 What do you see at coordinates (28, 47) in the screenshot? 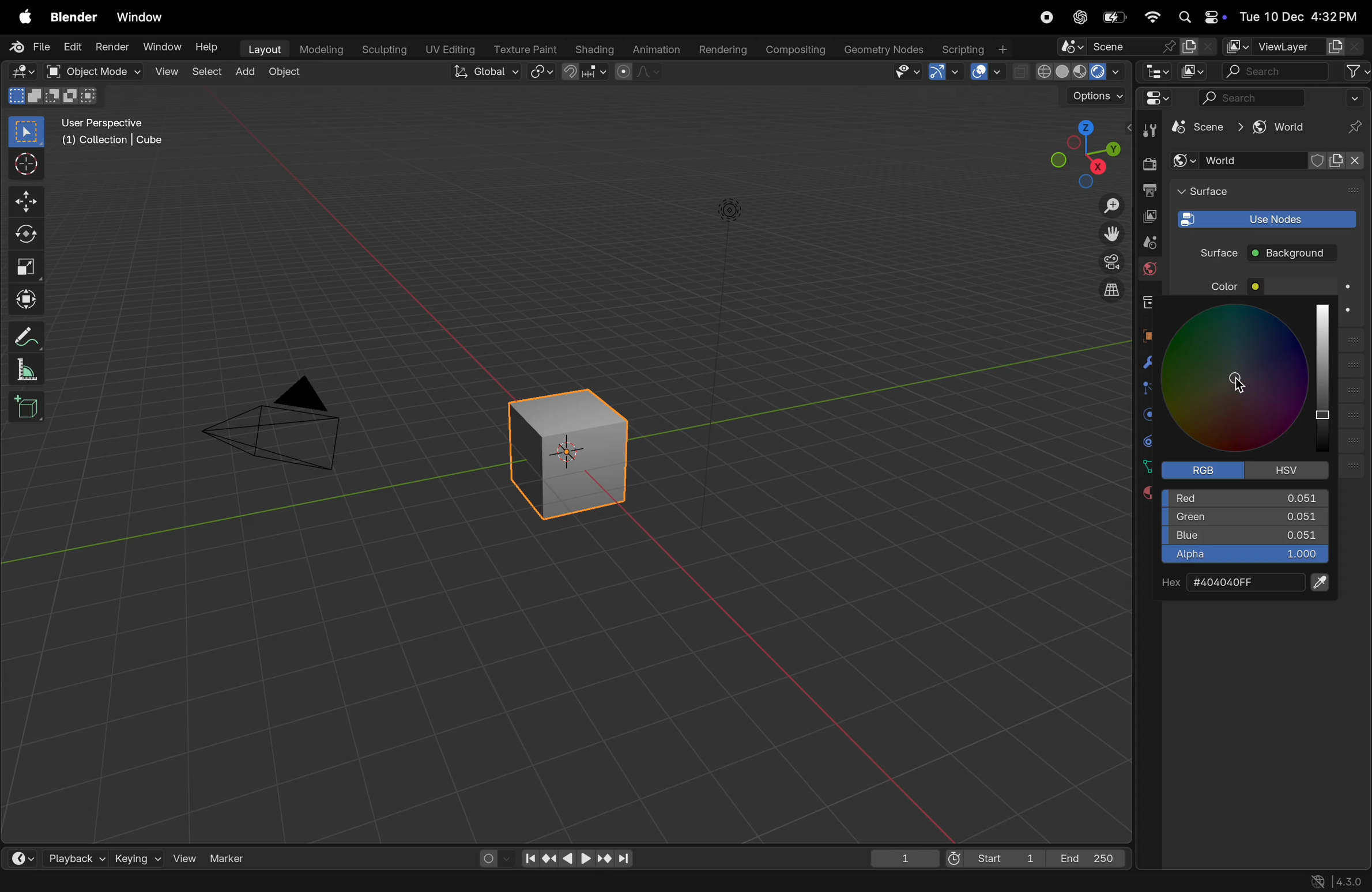
I see `File` at bounding box center [28, 47].